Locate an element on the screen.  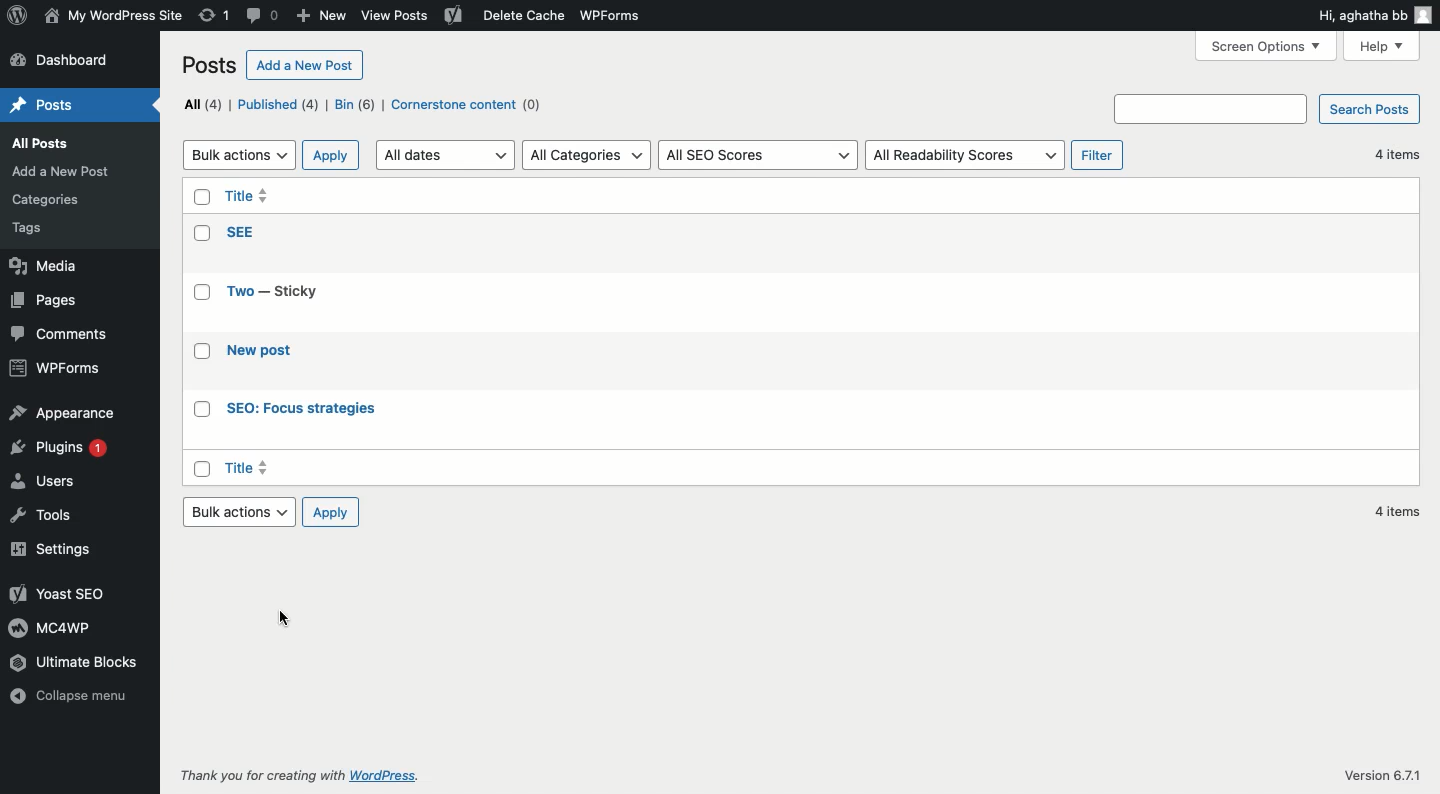
Media is located at coordinates (47, 268).